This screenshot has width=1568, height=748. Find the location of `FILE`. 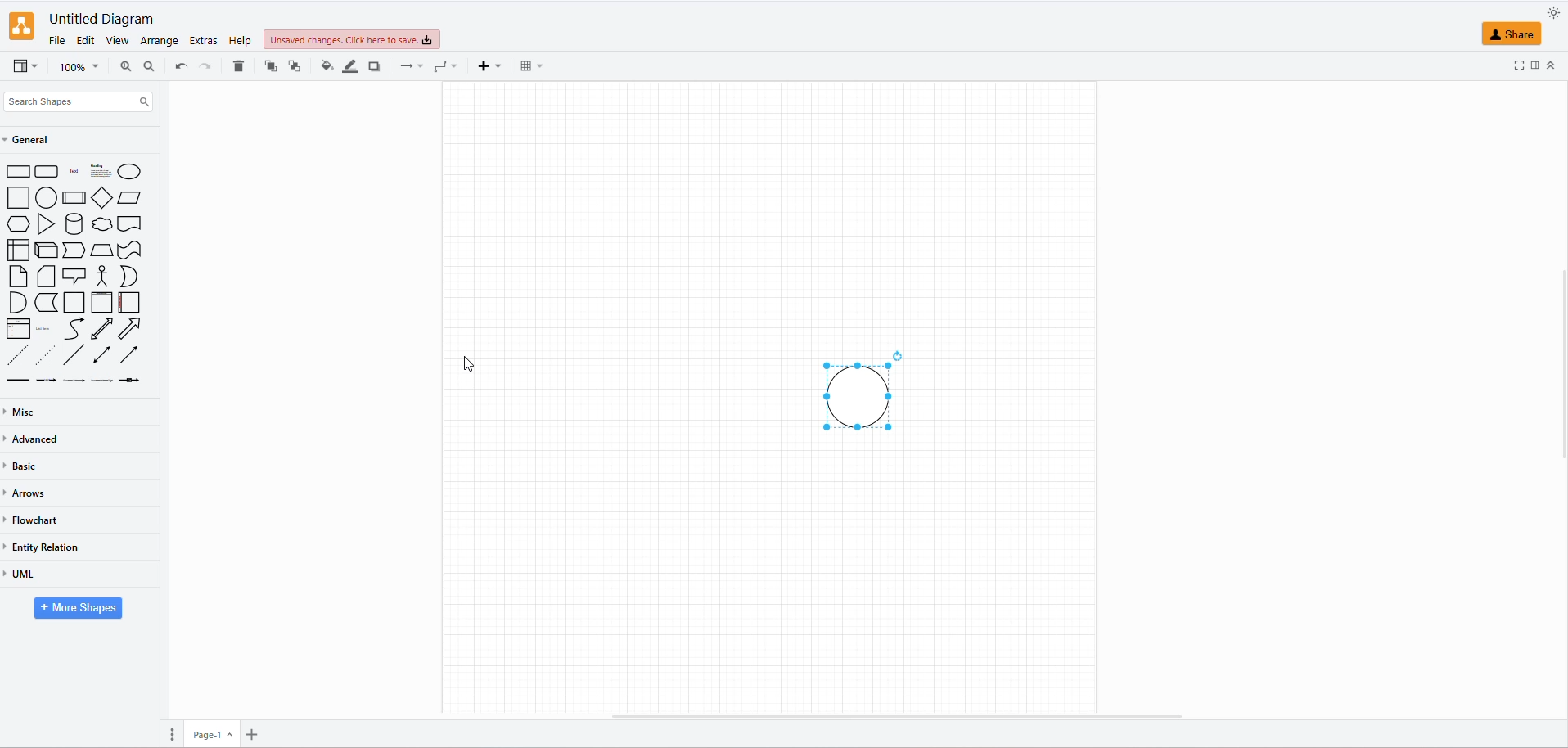

FILE is located at coordinates (54, 40).